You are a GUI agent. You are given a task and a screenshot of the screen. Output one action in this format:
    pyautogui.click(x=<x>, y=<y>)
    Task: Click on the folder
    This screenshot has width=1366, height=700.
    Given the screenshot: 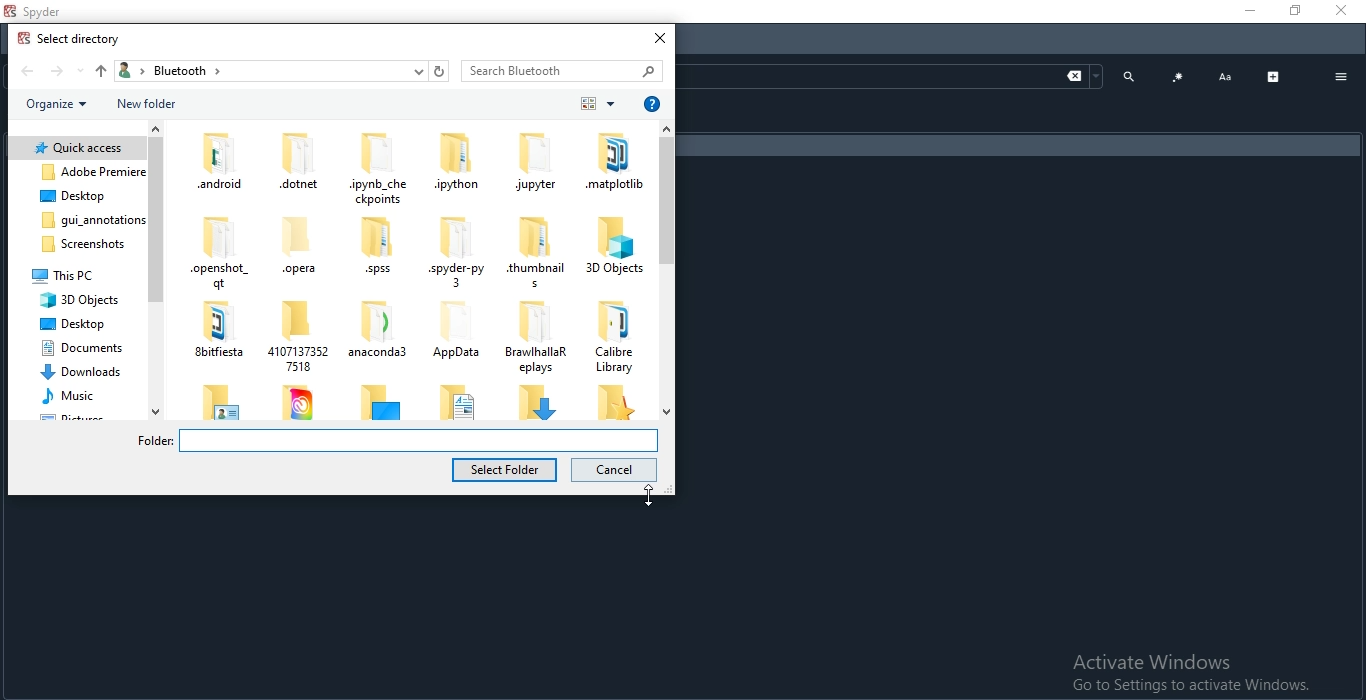 What is the action you would take?
    pyautogui.click(x=538, y=336)
    